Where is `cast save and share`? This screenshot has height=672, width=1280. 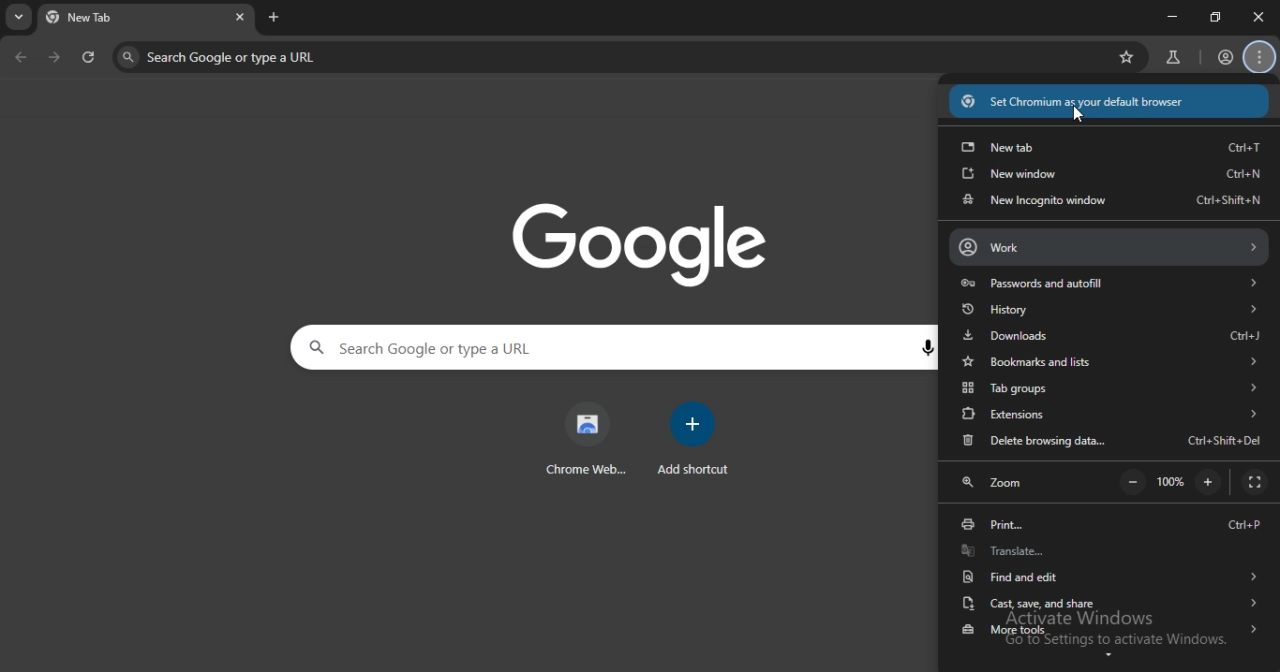 cast save and share is located at coordinates (1110, 603).